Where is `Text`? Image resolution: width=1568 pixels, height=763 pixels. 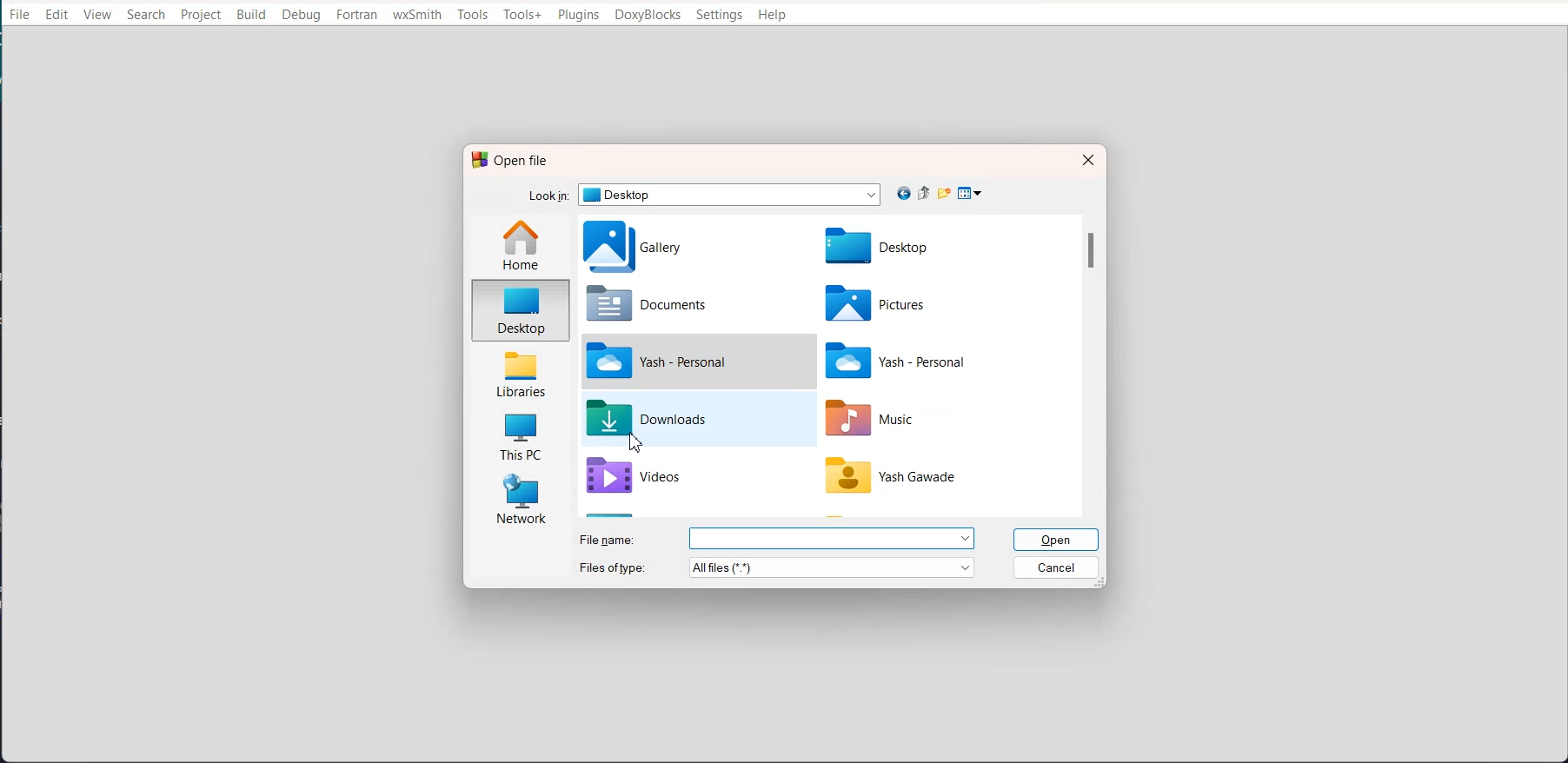 Text is located at coordinates (510, 160).